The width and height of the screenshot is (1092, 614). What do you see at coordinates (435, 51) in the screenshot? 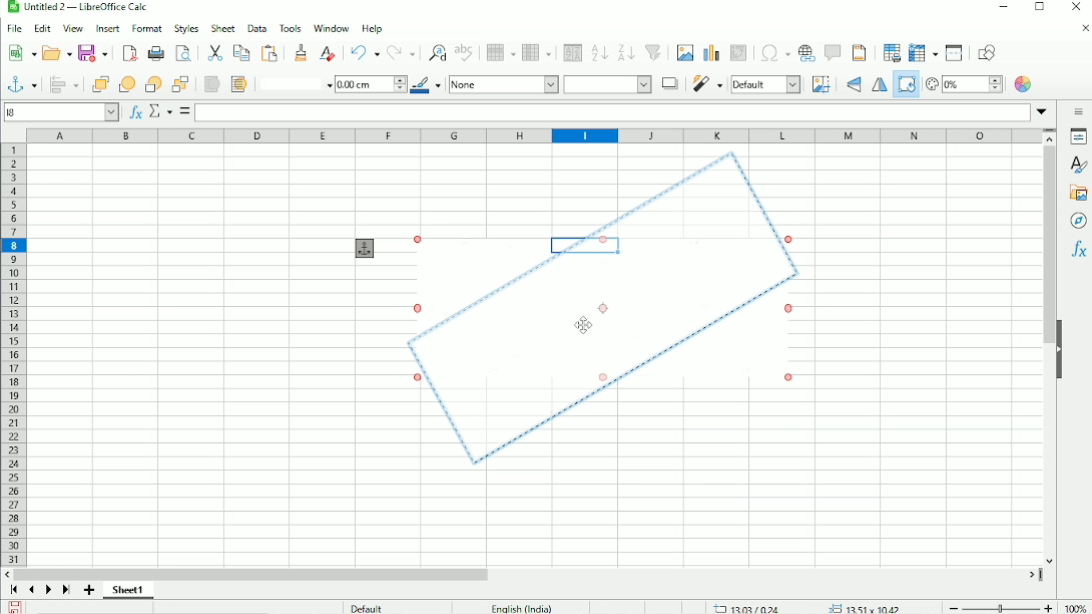
I see `Find and rest` at bounding box center [435, 51].